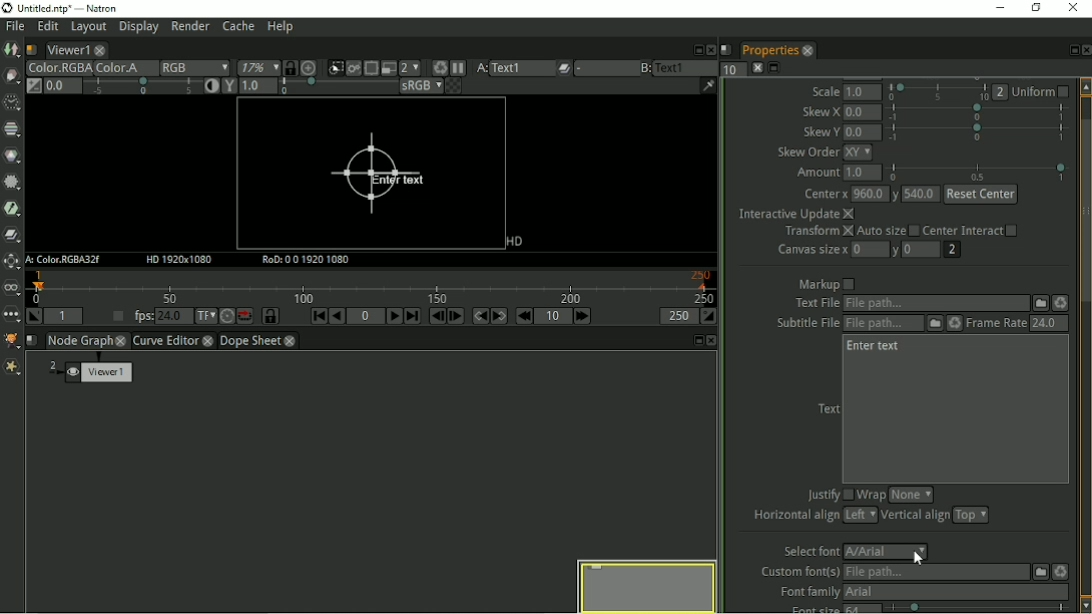 The width and height of the screenshot is (1092, 614). Describe the element at coordinates (604, 69) in the screenshot. I see `menu` at that location.